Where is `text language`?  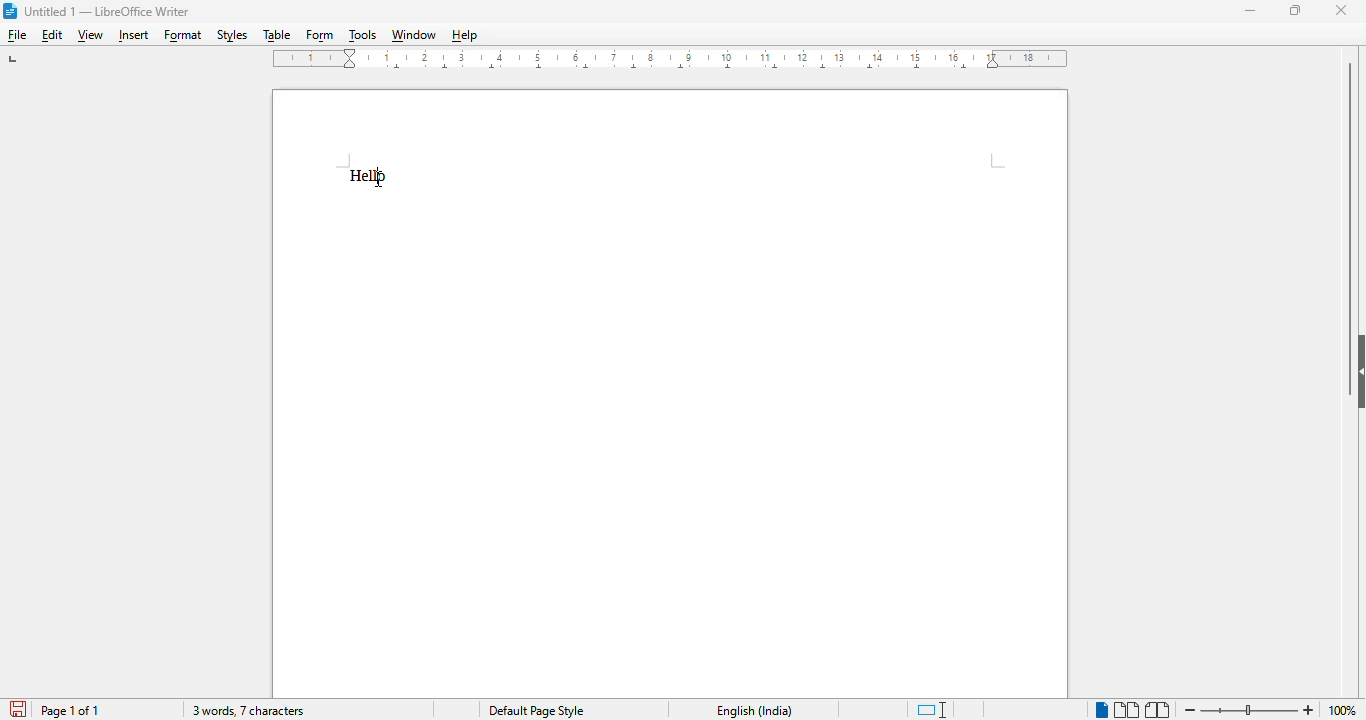
text language is located at coordinates (755, 711).